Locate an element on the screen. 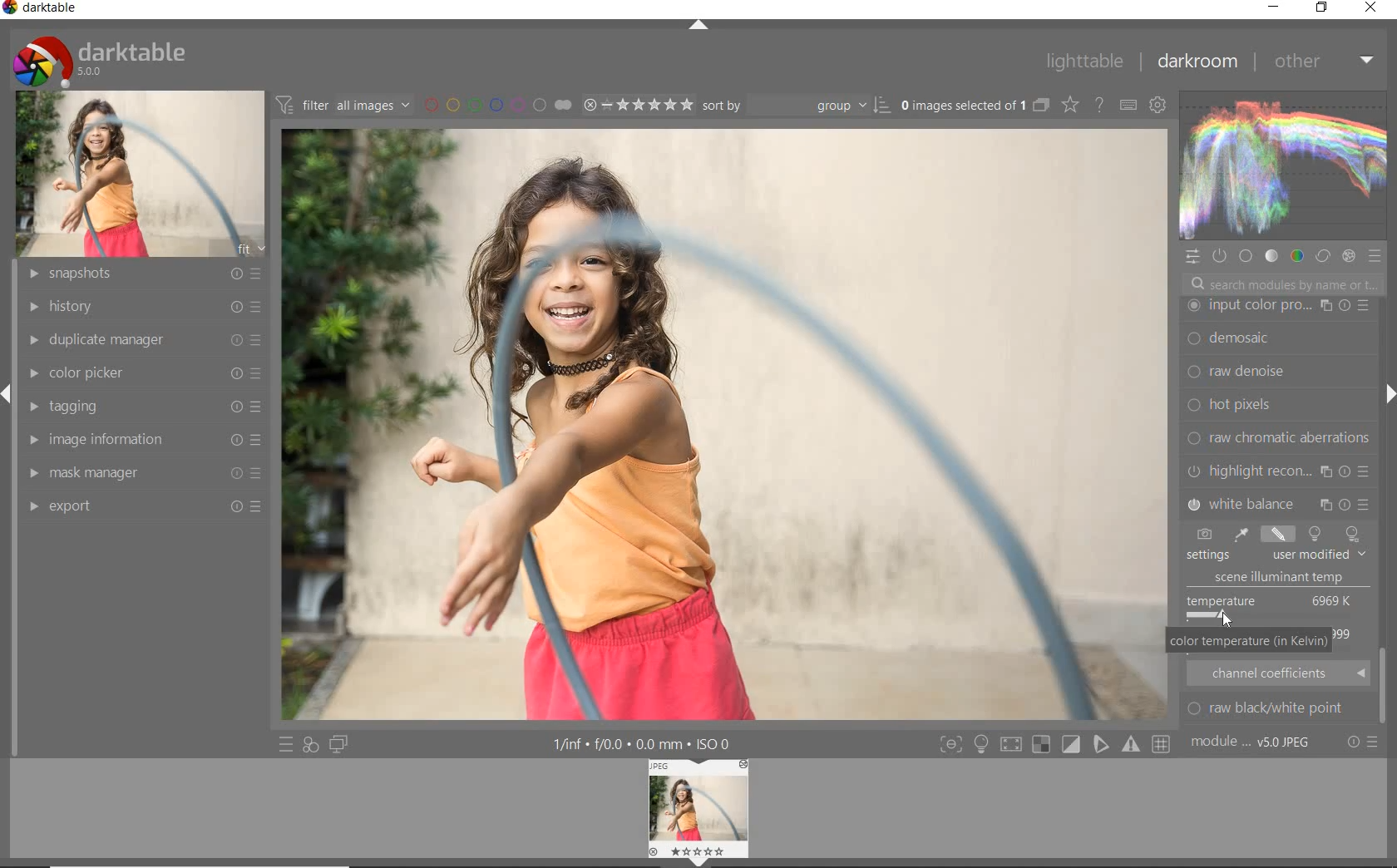  image information is located at coordinates (142, 439).